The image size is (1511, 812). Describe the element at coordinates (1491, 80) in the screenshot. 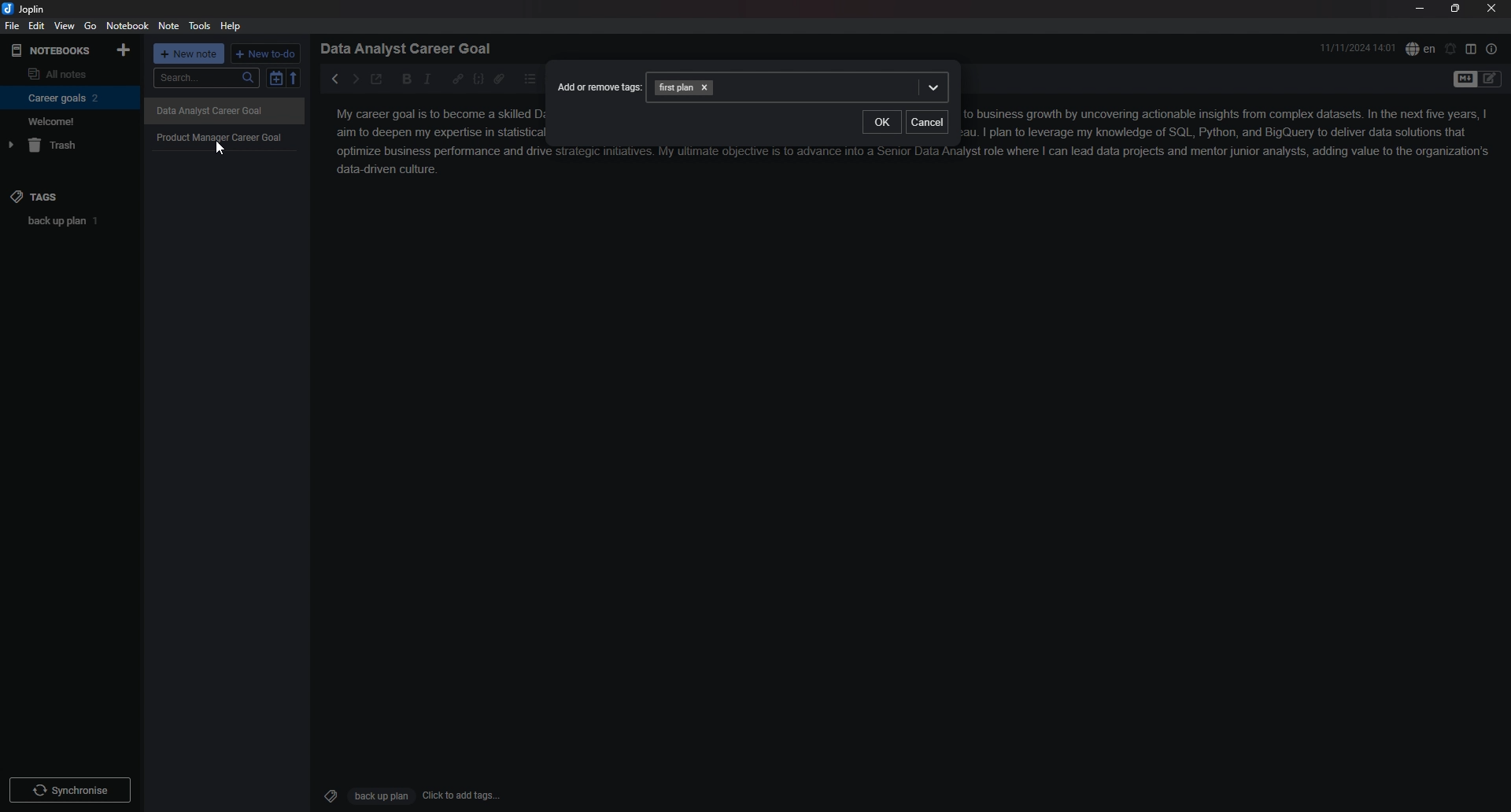

I see `Toggle Editor` at that location.